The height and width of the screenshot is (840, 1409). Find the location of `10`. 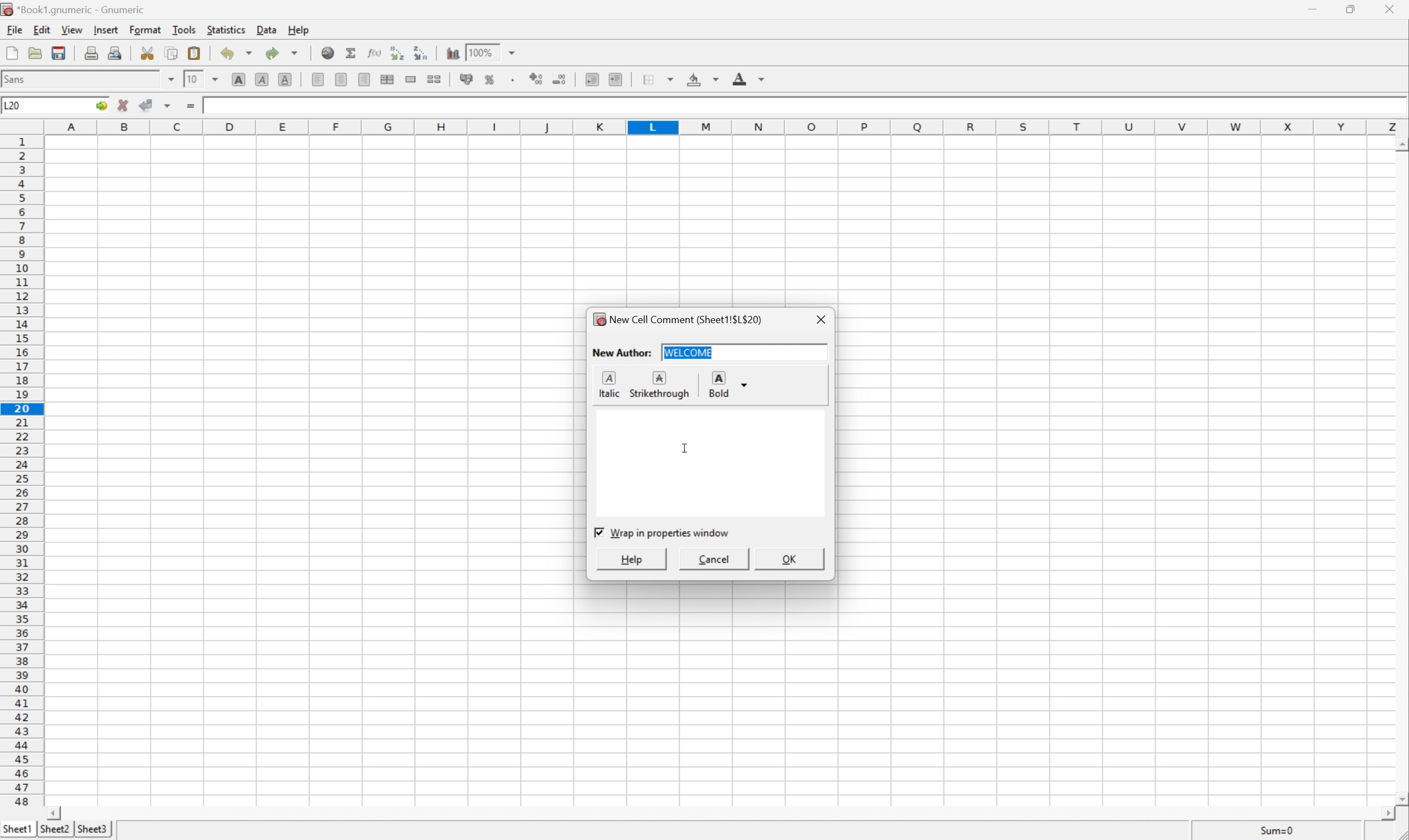

10 is located at coordinates (194, 80).